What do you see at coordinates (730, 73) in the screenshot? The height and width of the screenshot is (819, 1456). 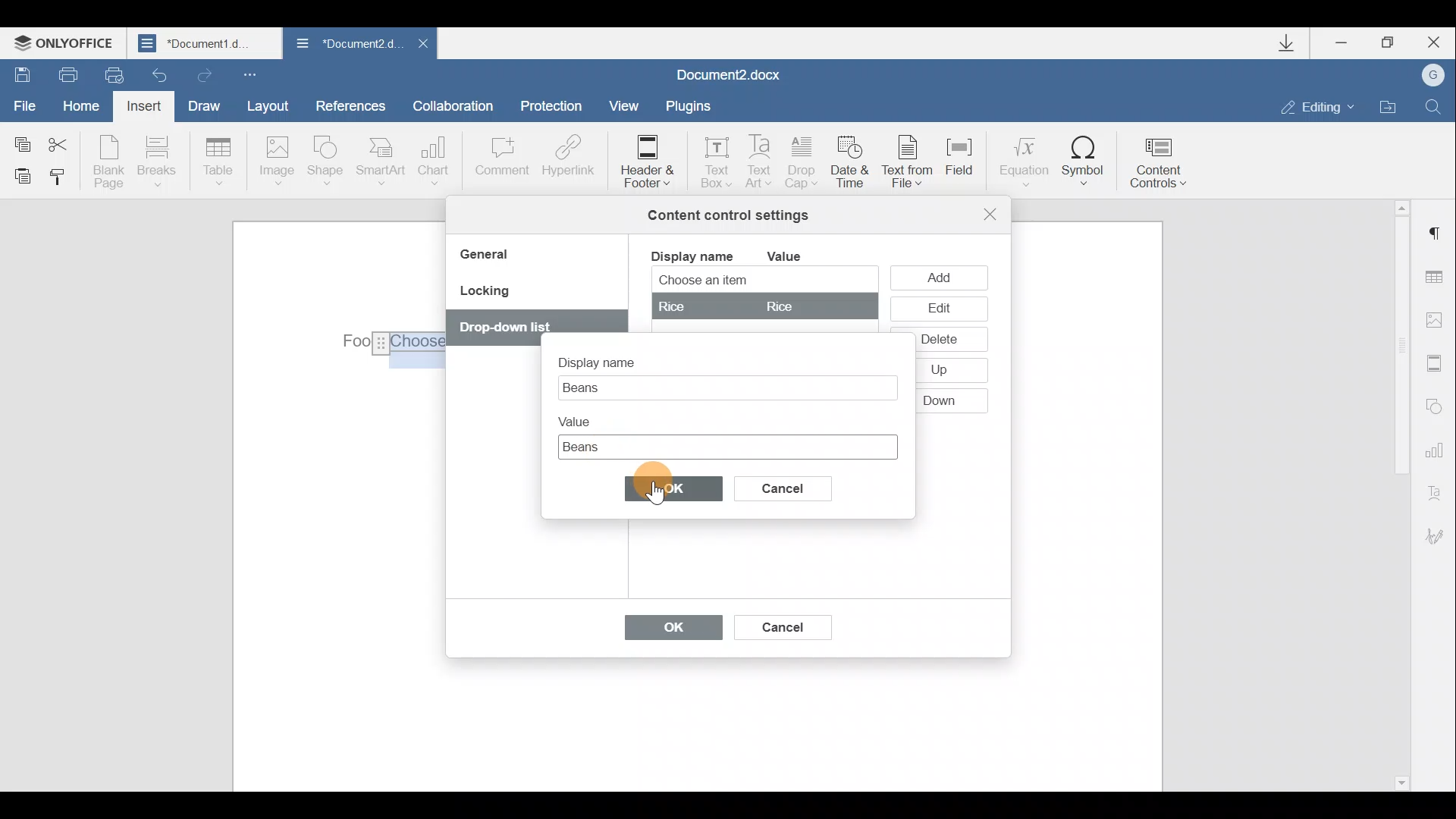 I see `Document2.docx` at bounding box center [730, 73].